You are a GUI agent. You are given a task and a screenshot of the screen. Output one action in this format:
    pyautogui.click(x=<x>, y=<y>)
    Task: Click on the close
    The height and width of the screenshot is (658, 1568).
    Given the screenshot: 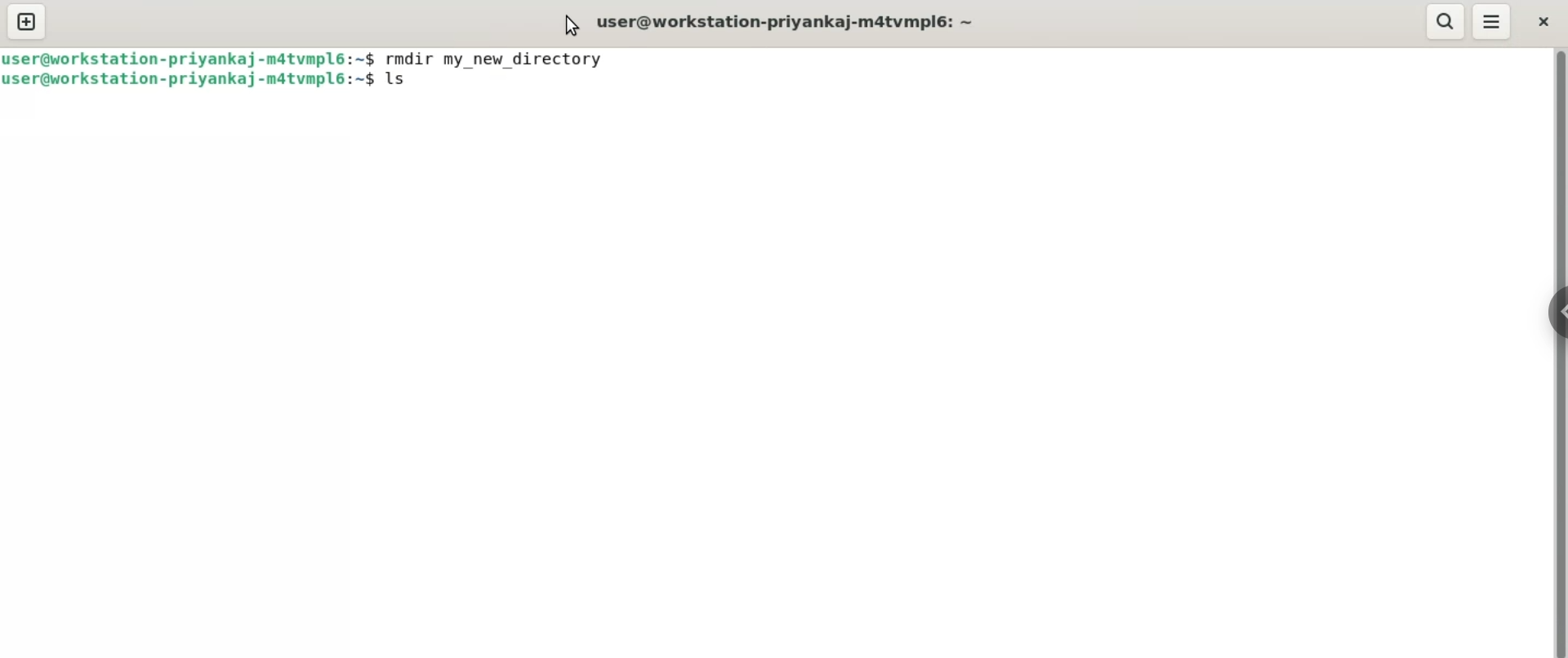 What is the action you would take?
    pyautogui.click(x=1543, y=22)
    